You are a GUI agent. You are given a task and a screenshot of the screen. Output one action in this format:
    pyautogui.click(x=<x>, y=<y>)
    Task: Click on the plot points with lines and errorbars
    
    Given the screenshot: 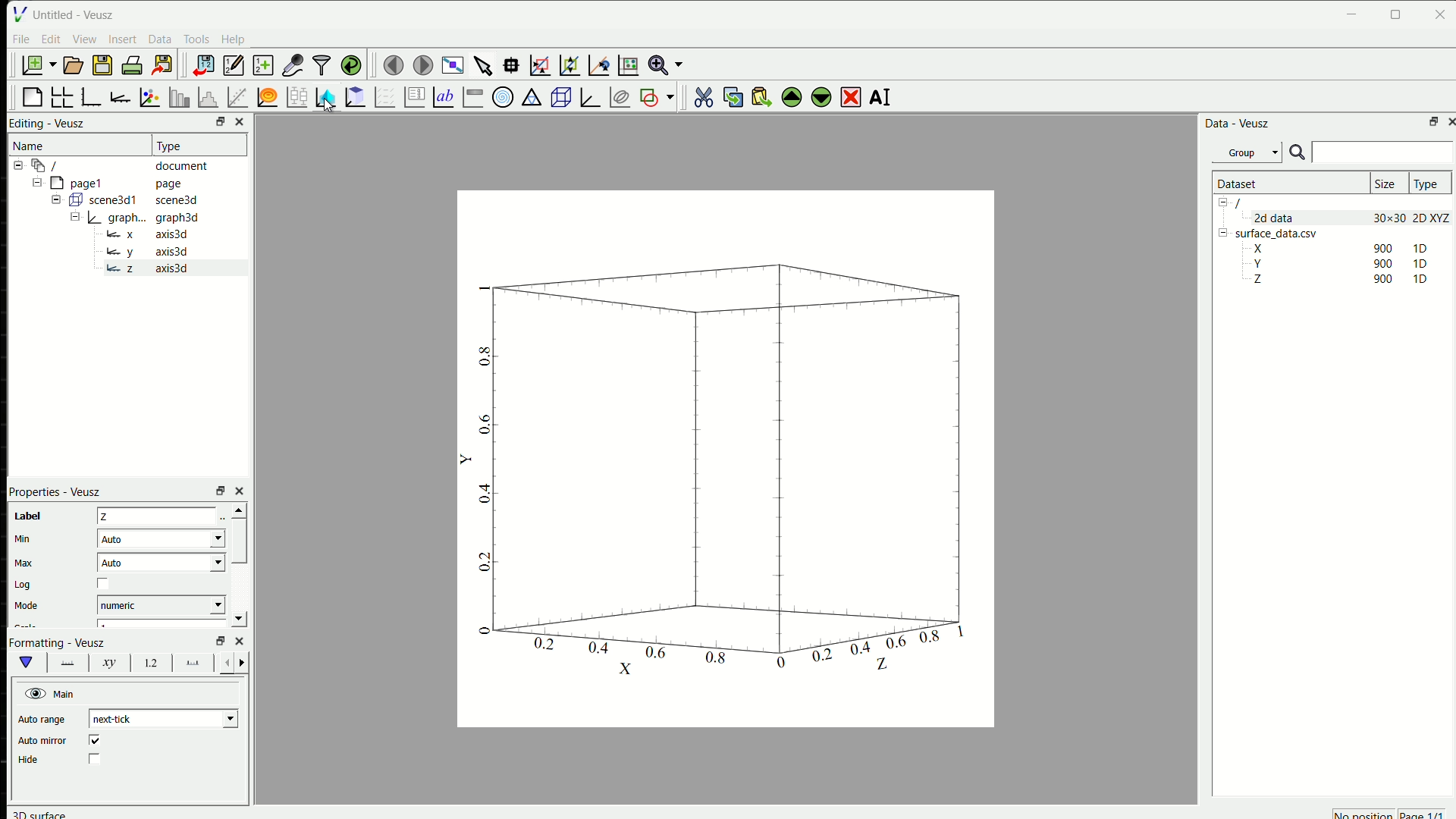 What is the action you would take?
    pyautogui.click(x=152, y=97)
    